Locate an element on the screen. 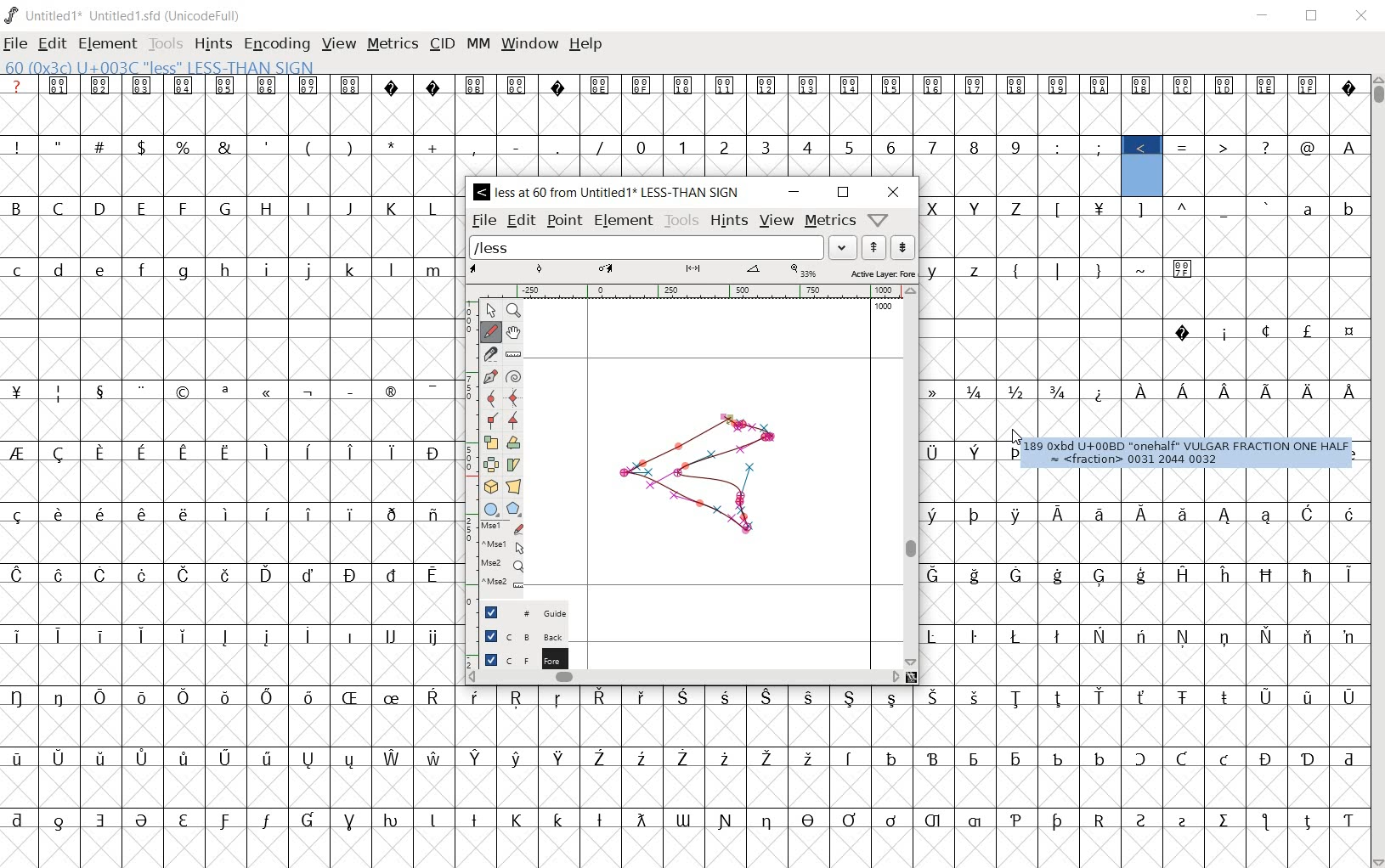  active layer: foreground is located at coordinates (691, 273).